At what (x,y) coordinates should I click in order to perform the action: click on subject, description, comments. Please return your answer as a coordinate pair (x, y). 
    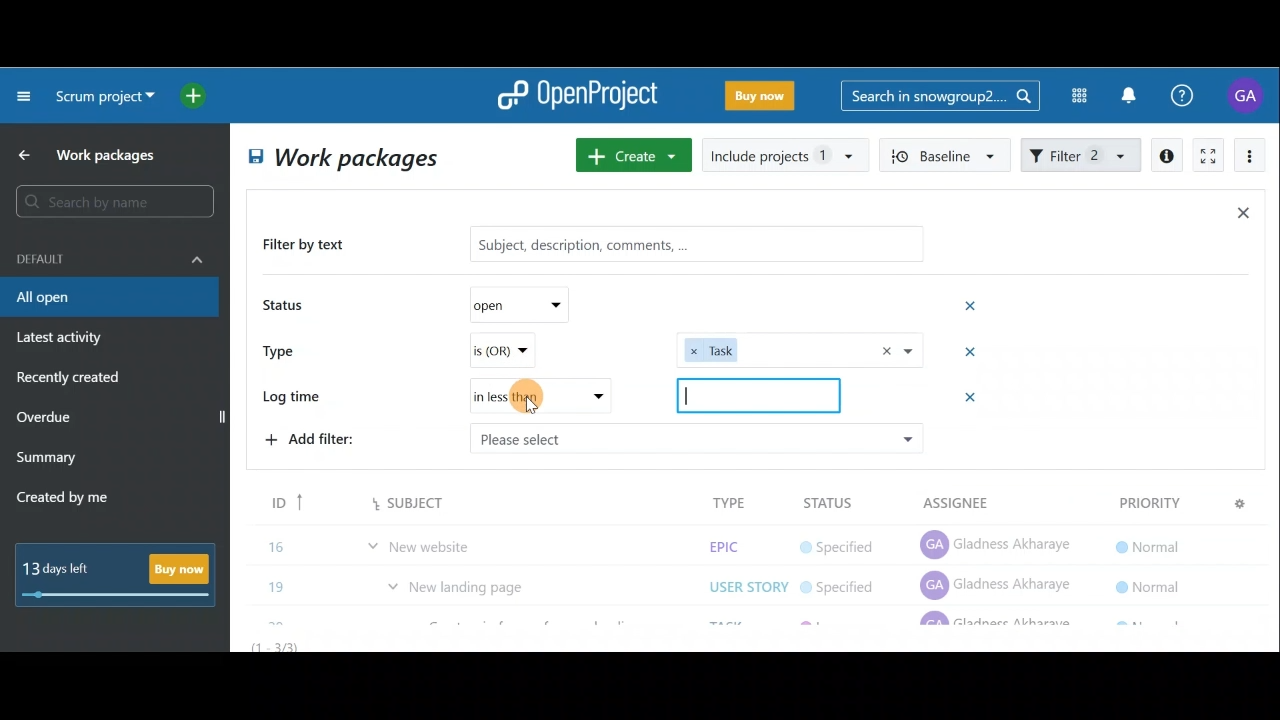
    Looking at the image, I should click on (682, 243).